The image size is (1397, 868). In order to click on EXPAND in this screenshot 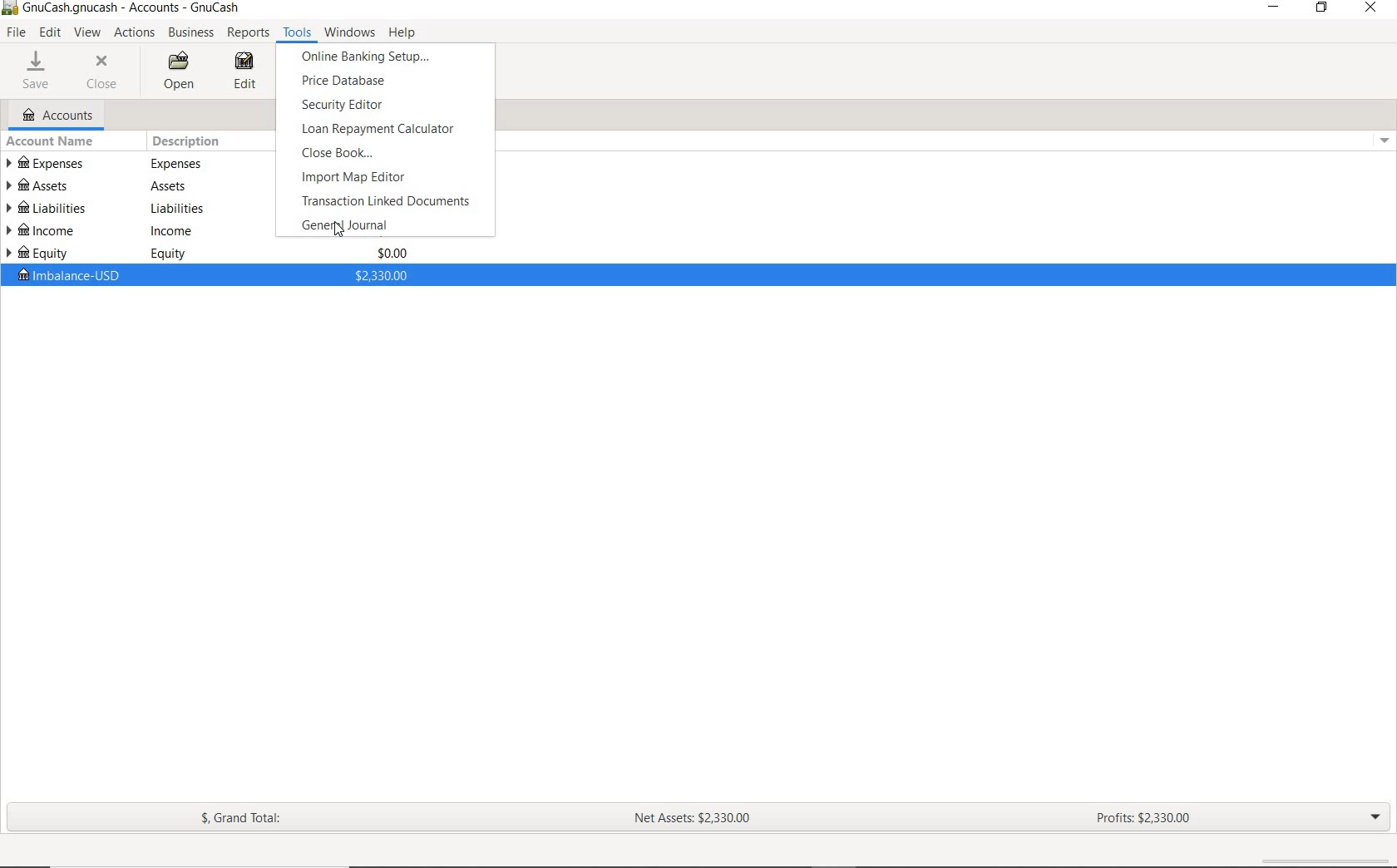, I will do `click(1376, 821)`.